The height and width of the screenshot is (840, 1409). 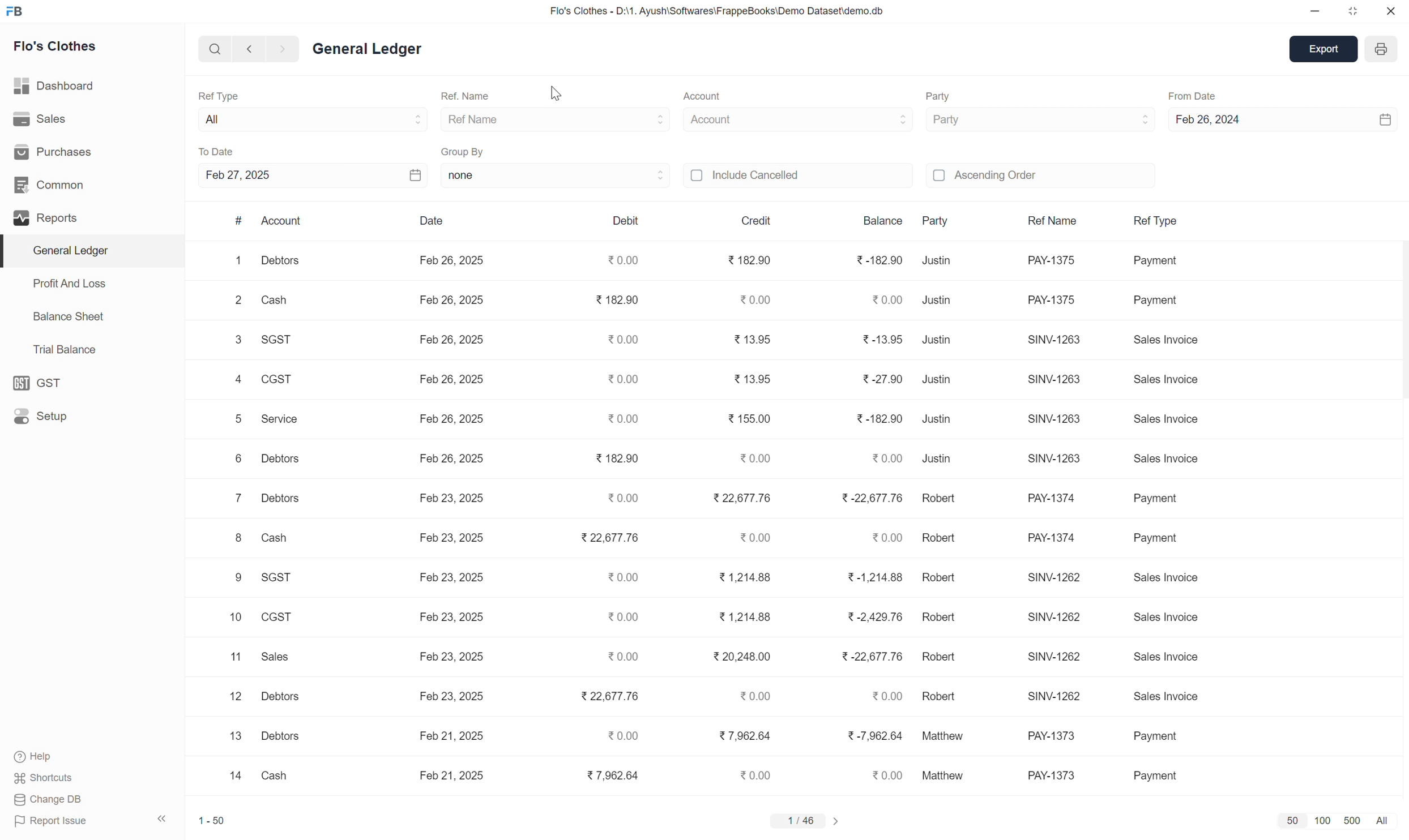 I want to click on sales invoice, so click(x=1165, y=580).